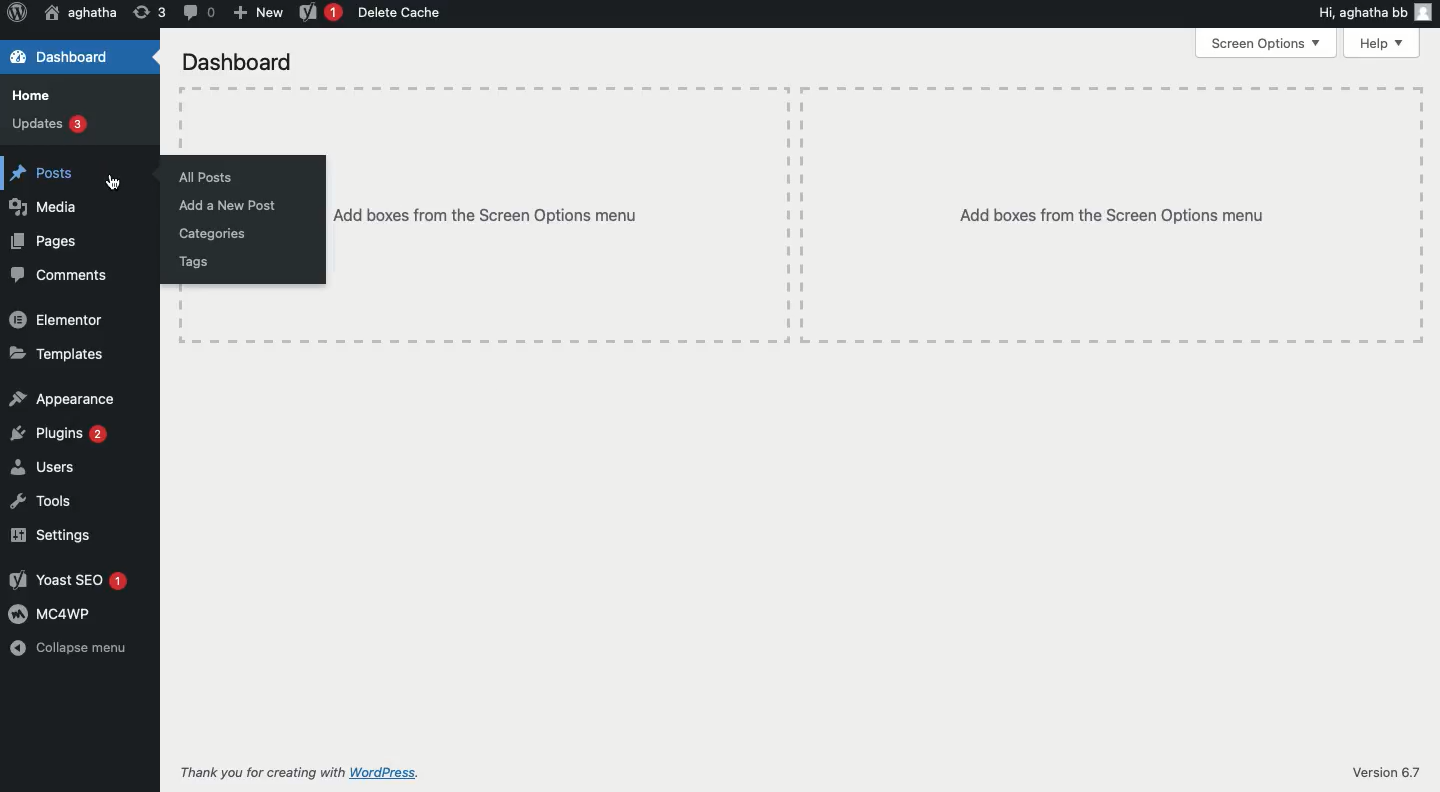 This screenshot has height=792, width=1440. I want to click on Revision, so click(150, 12).